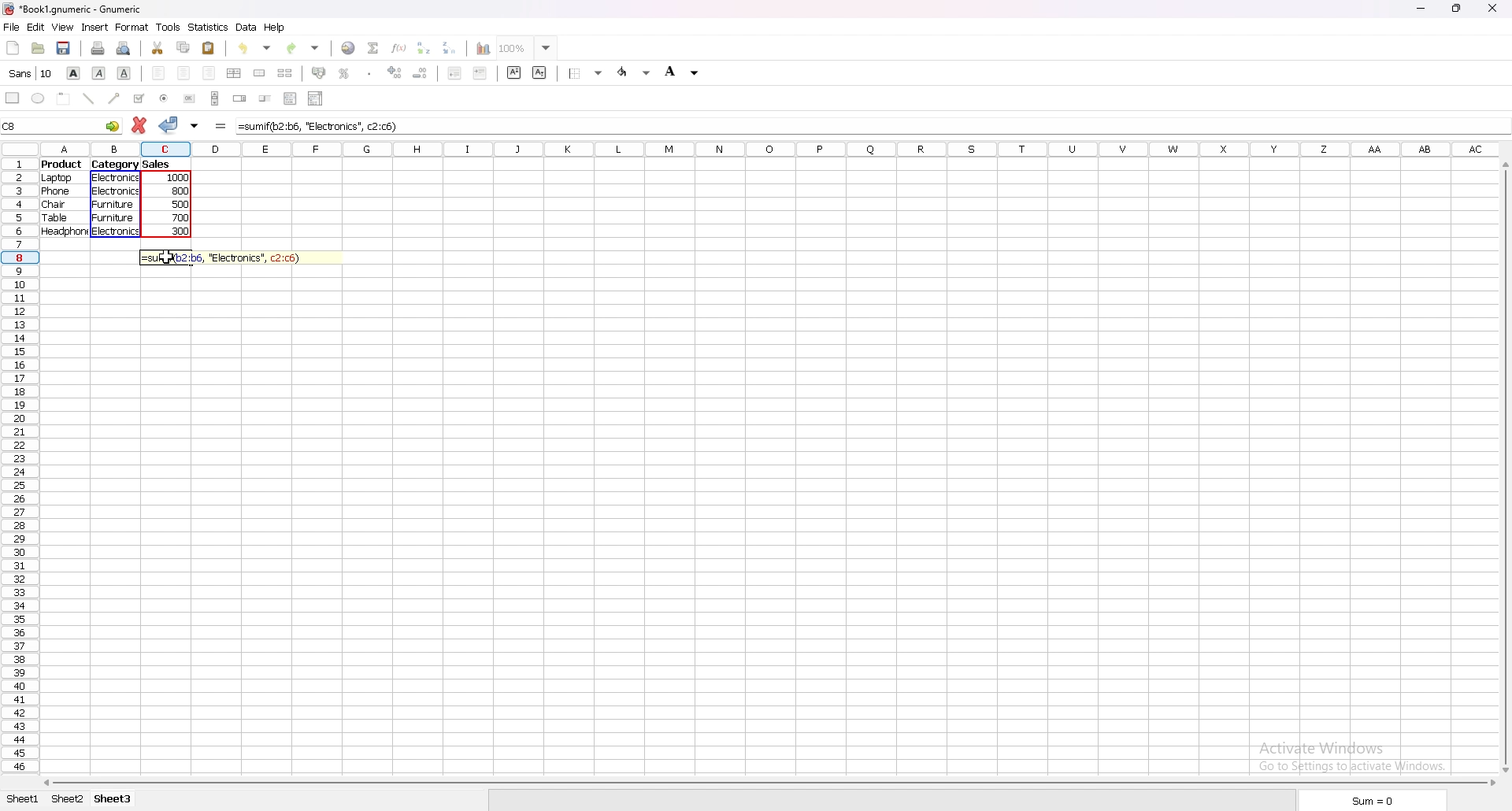  What do you see at coordinates (183, 206) in the screenshot?
I see `500` at bounding box center [183, 206].